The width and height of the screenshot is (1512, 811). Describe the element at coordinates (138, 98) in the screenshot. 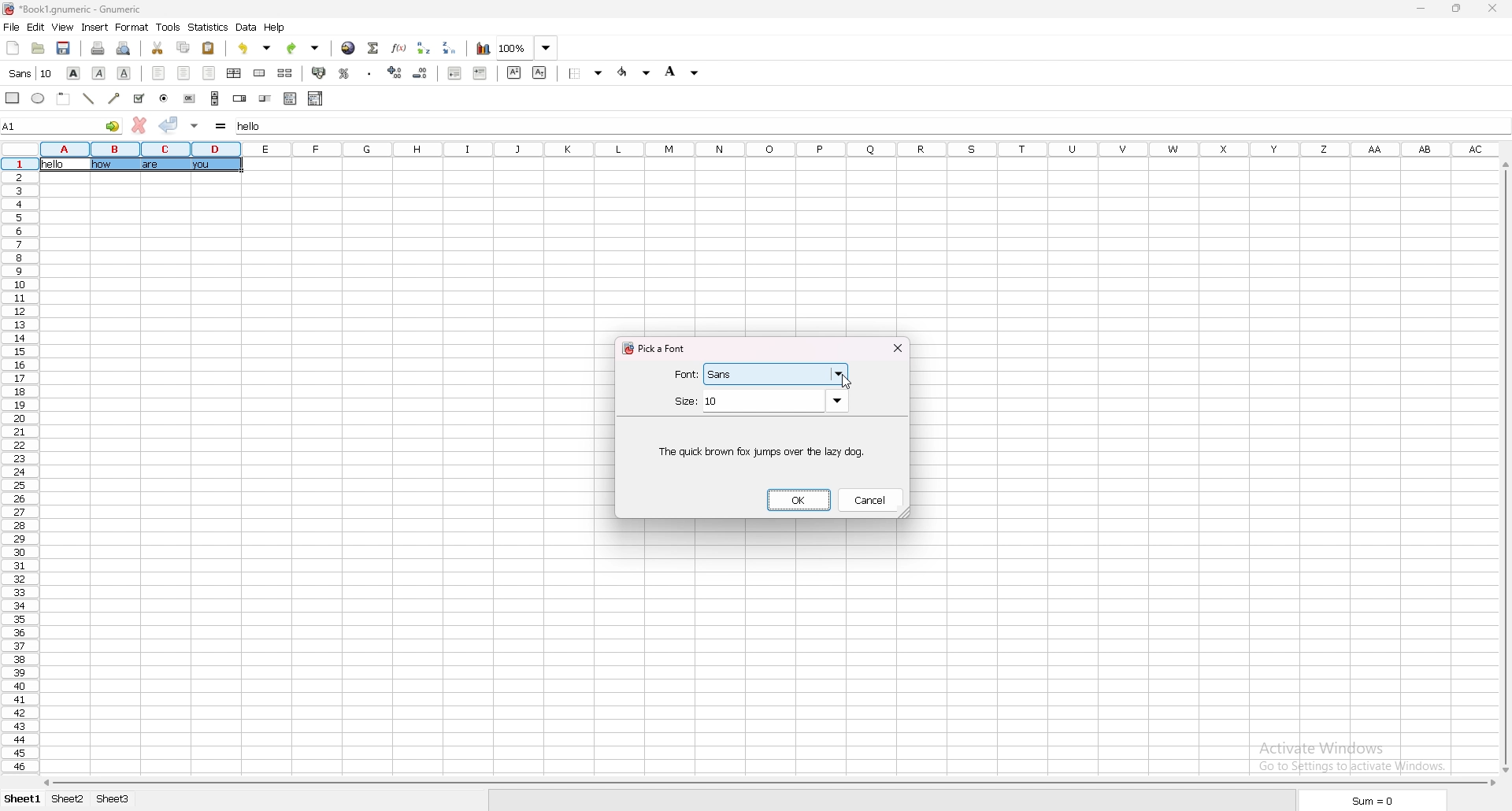

I see `tickbox` at that location.